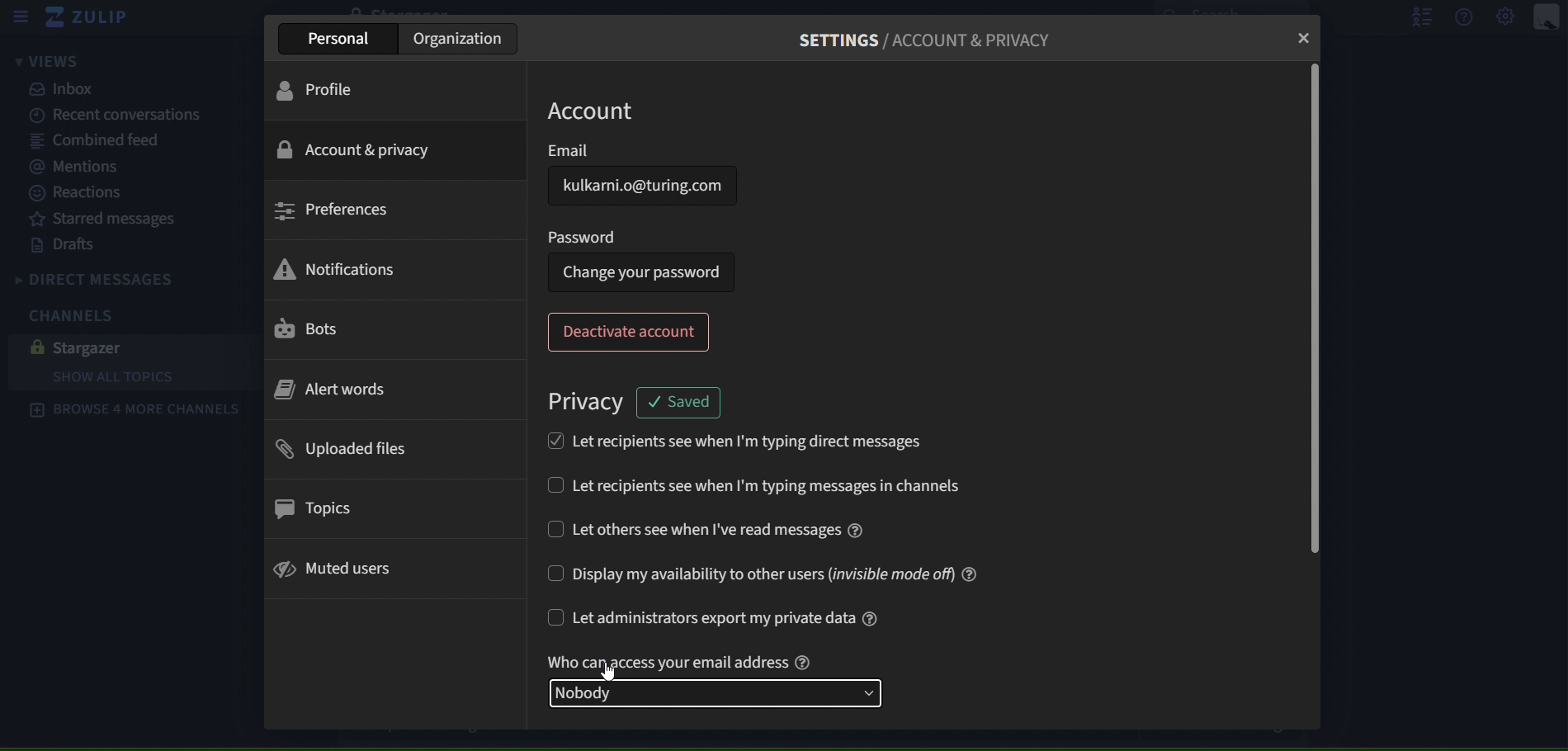 Image resolution: width=1568 pixels, height=751 pixels. I want to click on account, so click(597, 111).